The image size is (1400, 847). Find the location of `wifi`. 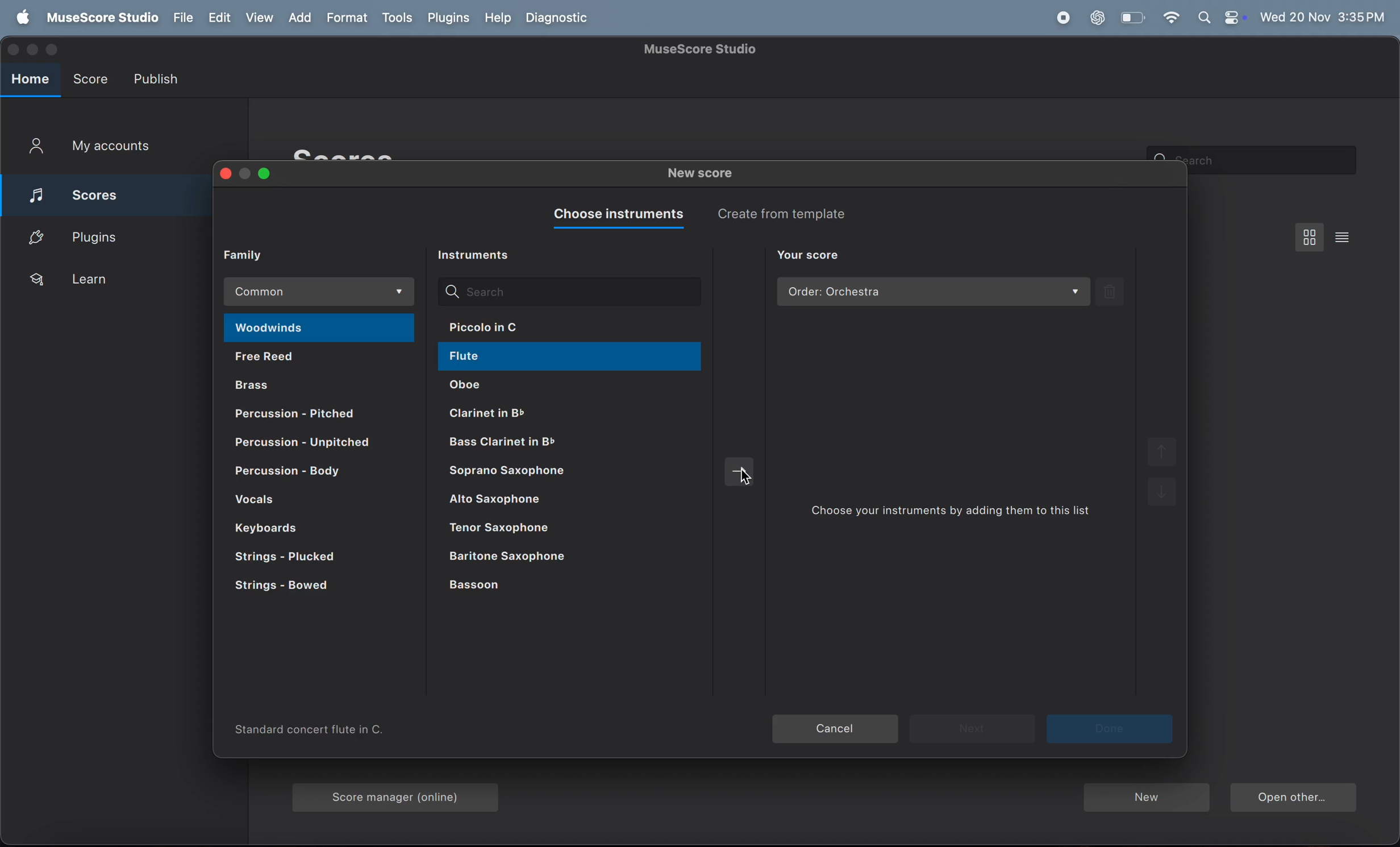

wifi is located at coordinates (1170, 18).